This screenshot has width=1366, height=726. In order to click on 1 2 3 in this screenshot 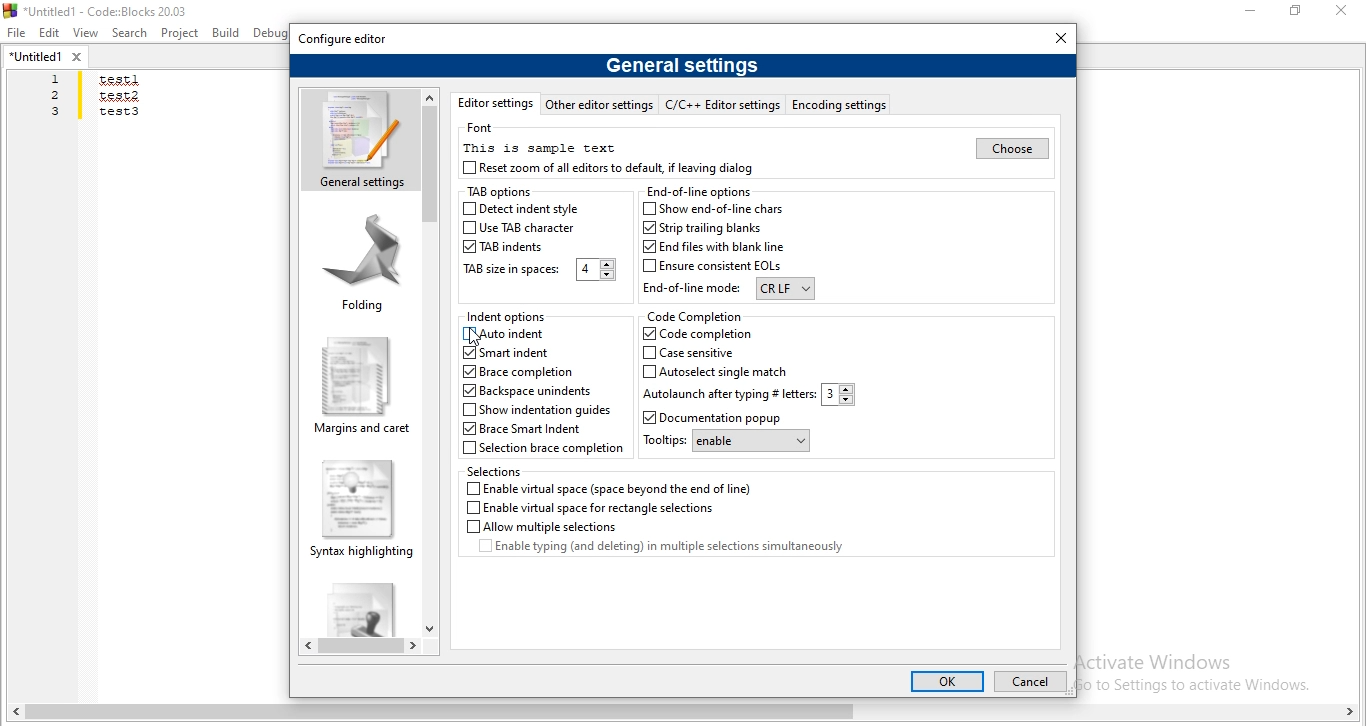, I will do `click(57, 96)`.